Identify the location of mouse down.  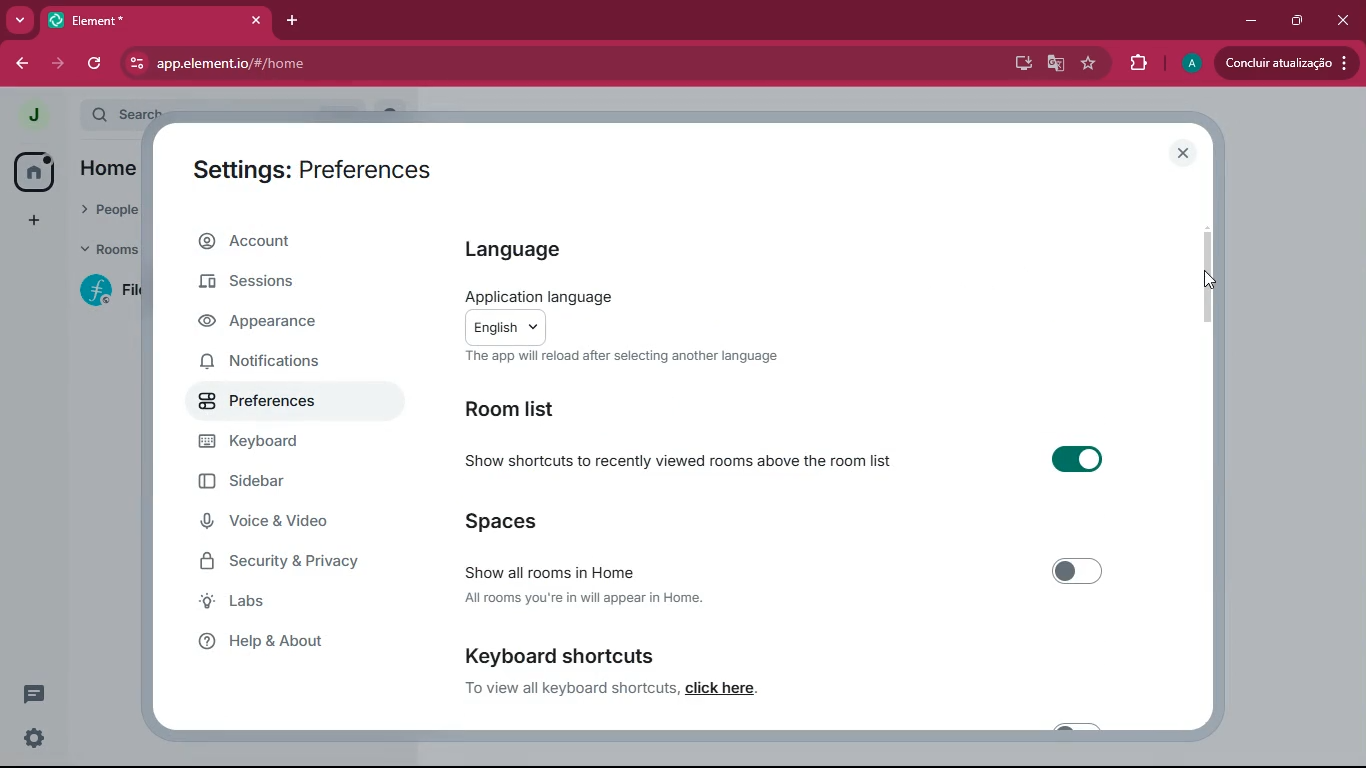
(1210, 280).